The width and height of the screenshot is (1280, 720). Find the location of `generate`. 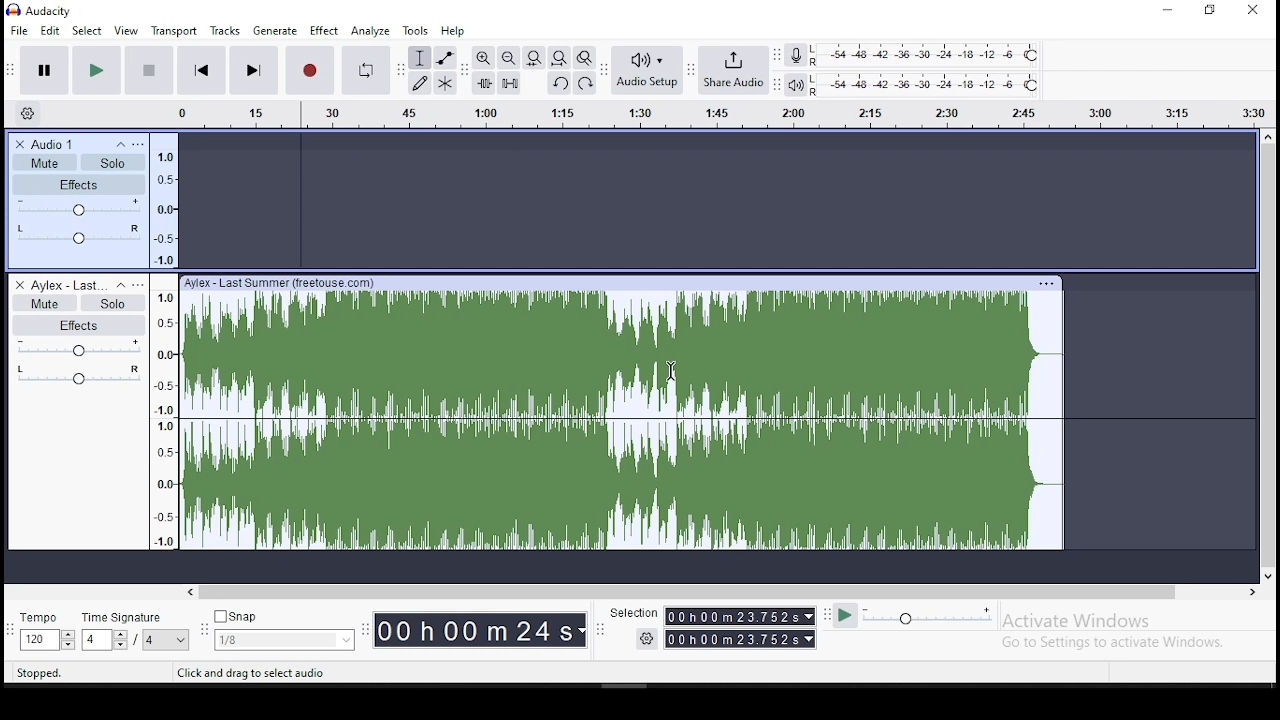

generate is located at coordinates (276, 32).